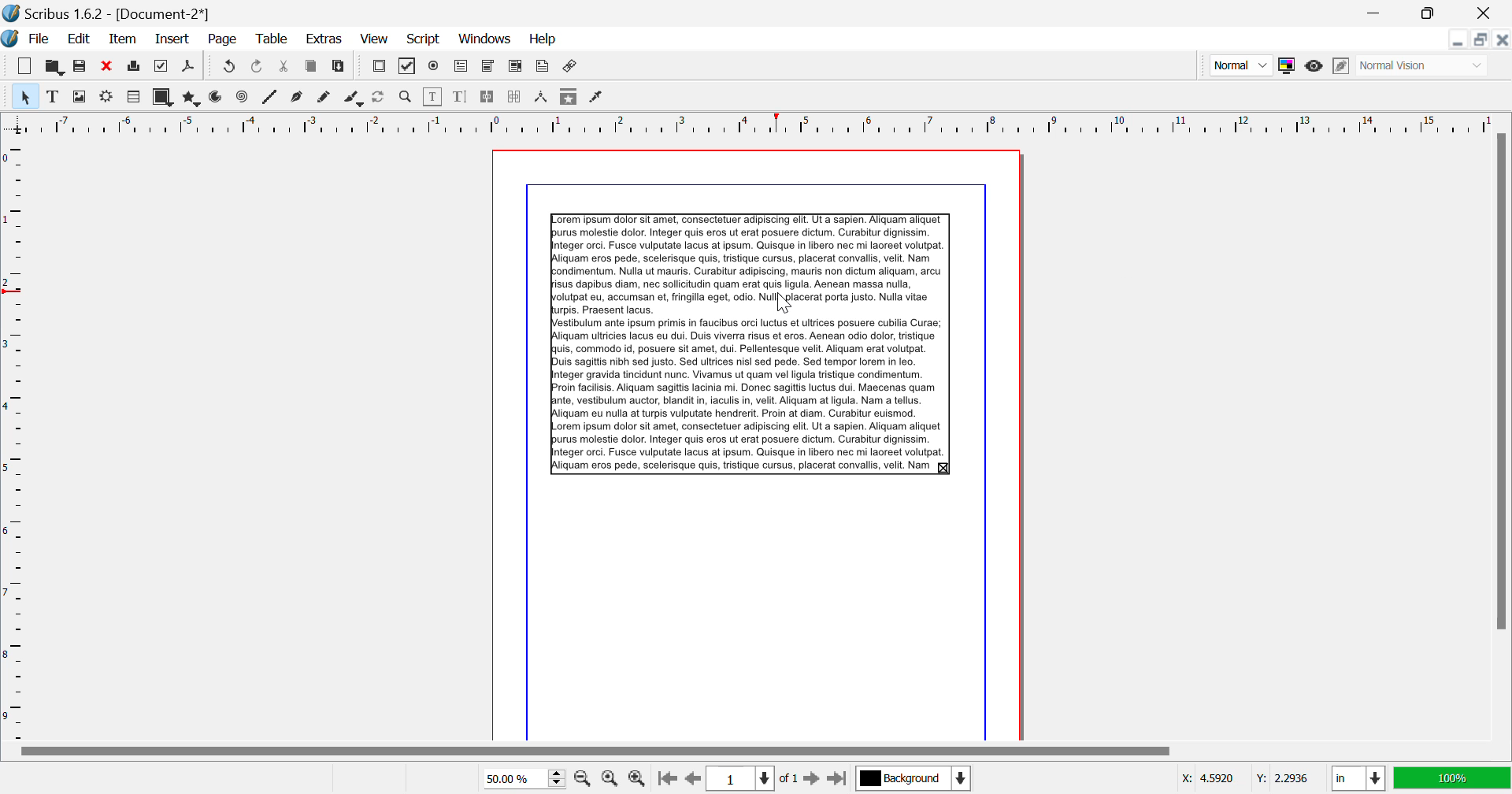  What do you see at coordinates (173, 40) in the screenshot?
I see `Insert` at bounding box center [173, 40].